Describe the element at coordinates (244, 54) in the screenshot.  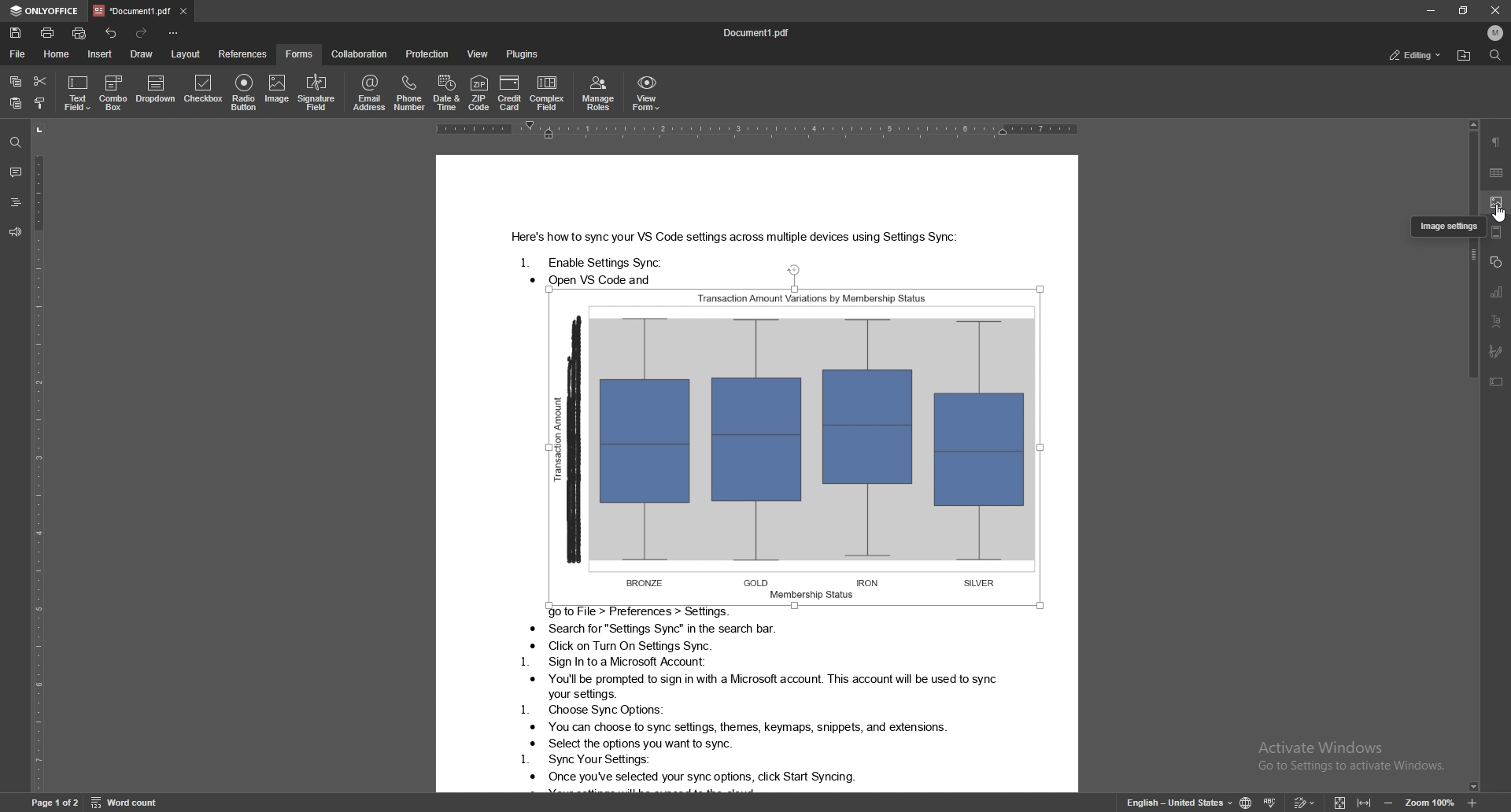
I see `references` at that location.